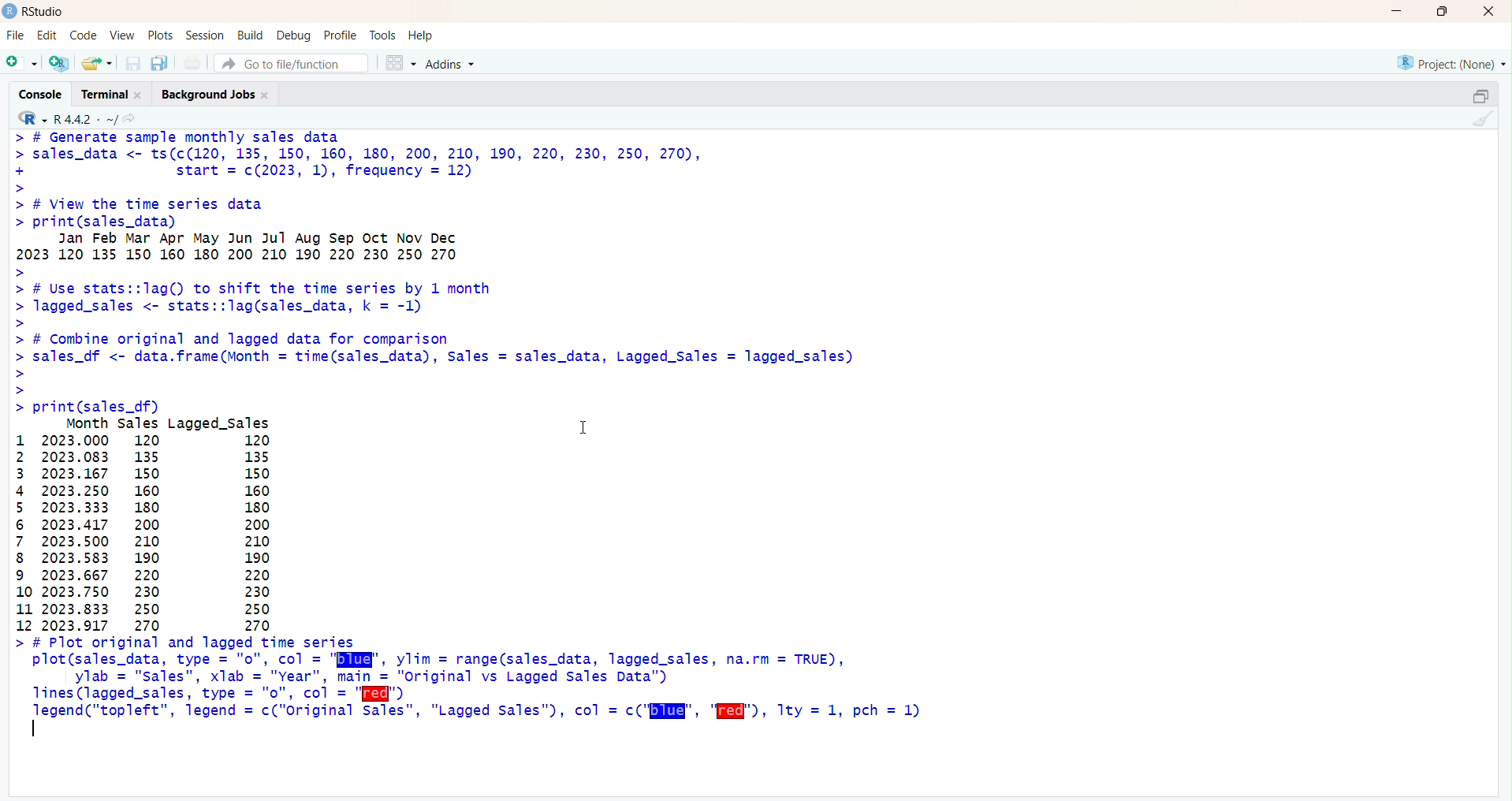 This screenshot has height=801, width=1512. What do you see at coordinates (121, 35) in the screenshot?
I see `view` at bounding box center [121, 35].